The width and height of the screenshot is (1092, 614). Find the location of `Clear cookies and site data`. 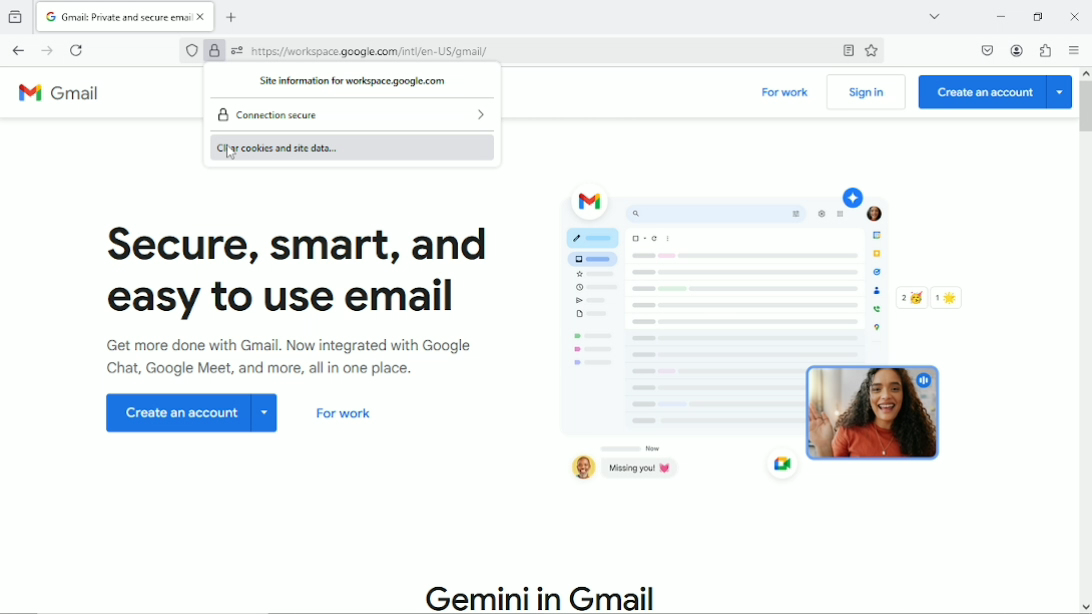

Clear cookies and site data is located at coordinates (348, 147).